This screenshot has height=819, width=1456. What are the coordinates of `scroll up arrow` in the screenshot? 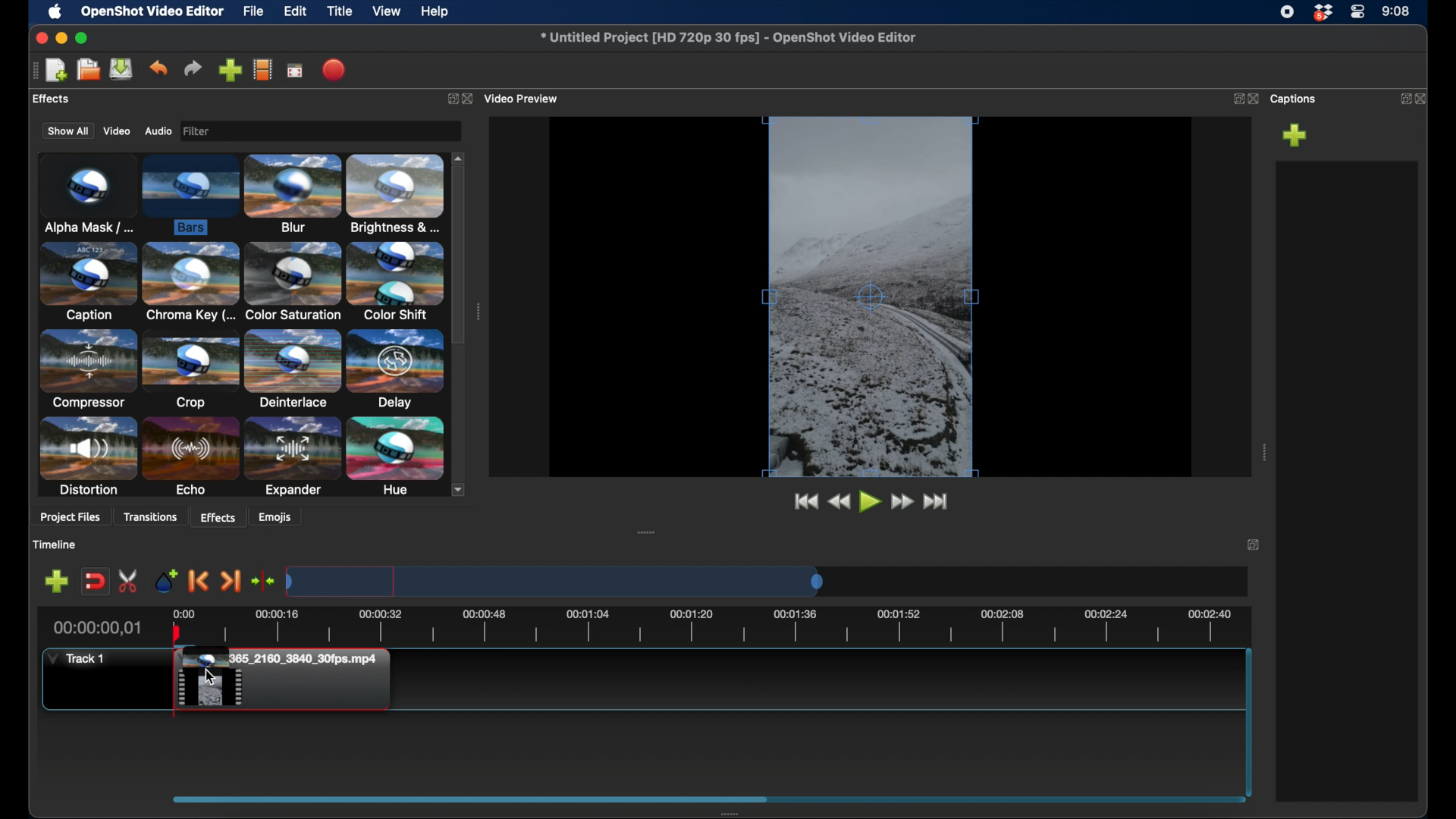 It's located at (460, 156).